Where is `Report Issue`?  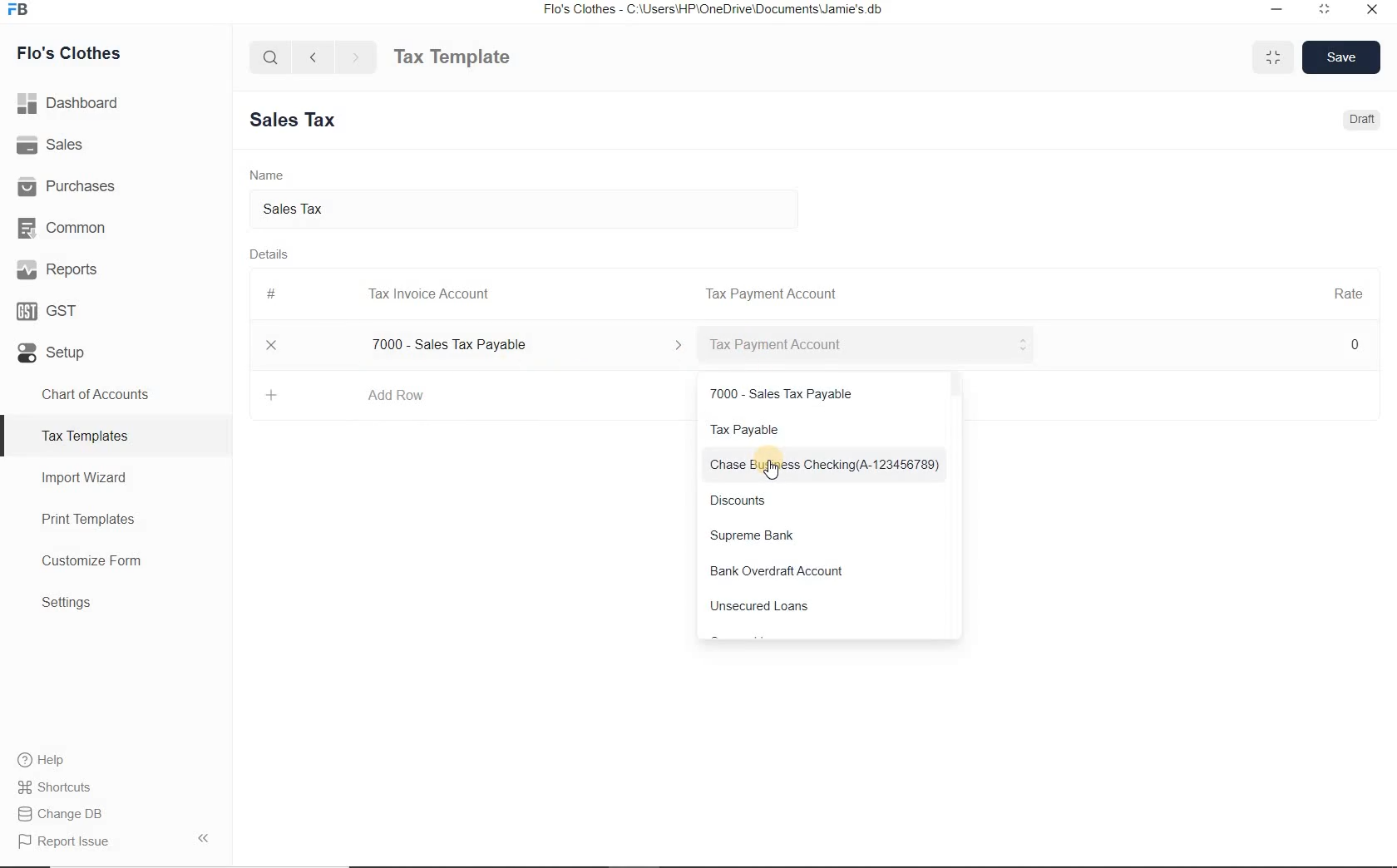 Report Issue is located at coordinates (116, 841).